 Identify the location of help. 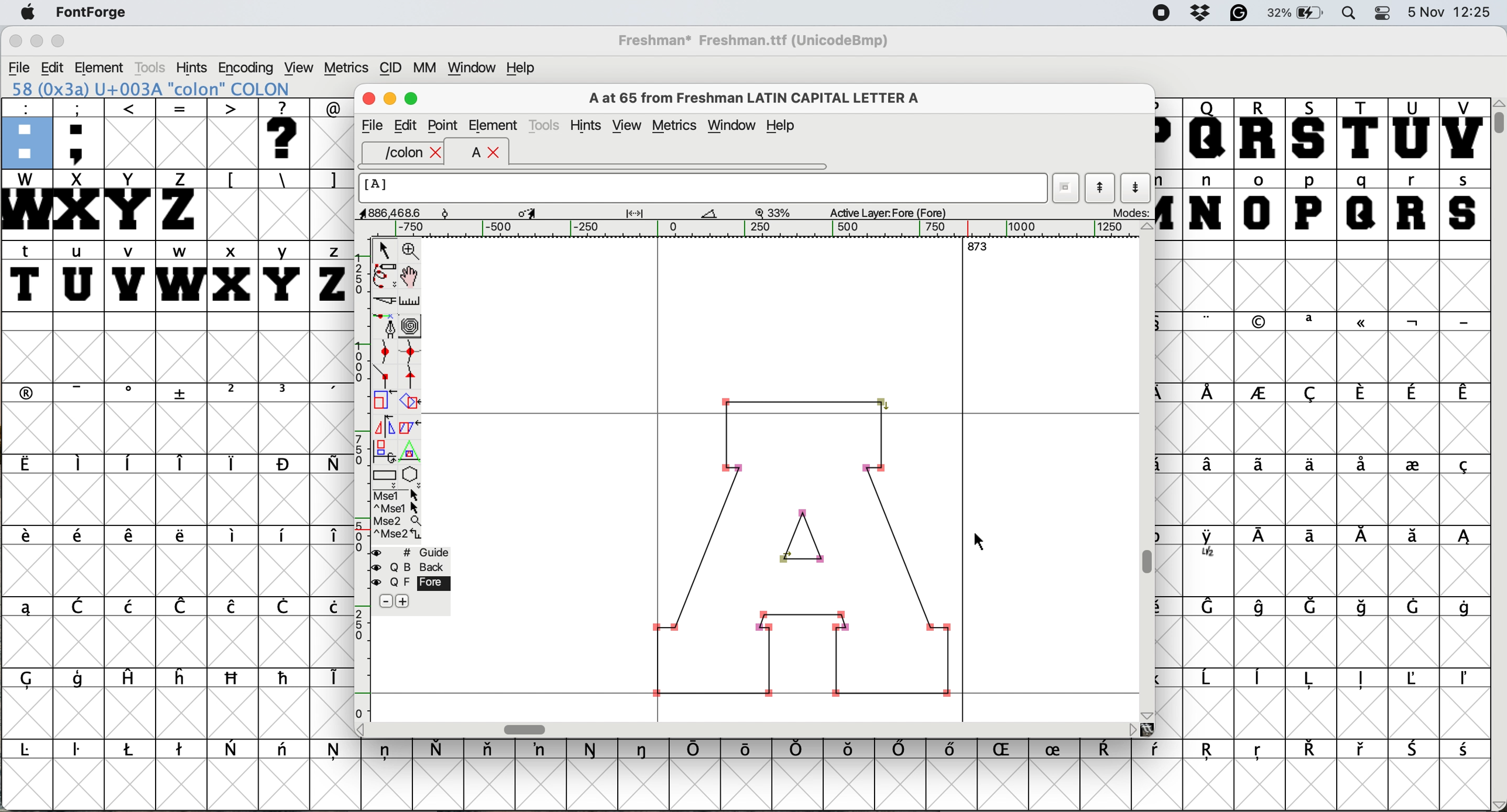
(527, 68).